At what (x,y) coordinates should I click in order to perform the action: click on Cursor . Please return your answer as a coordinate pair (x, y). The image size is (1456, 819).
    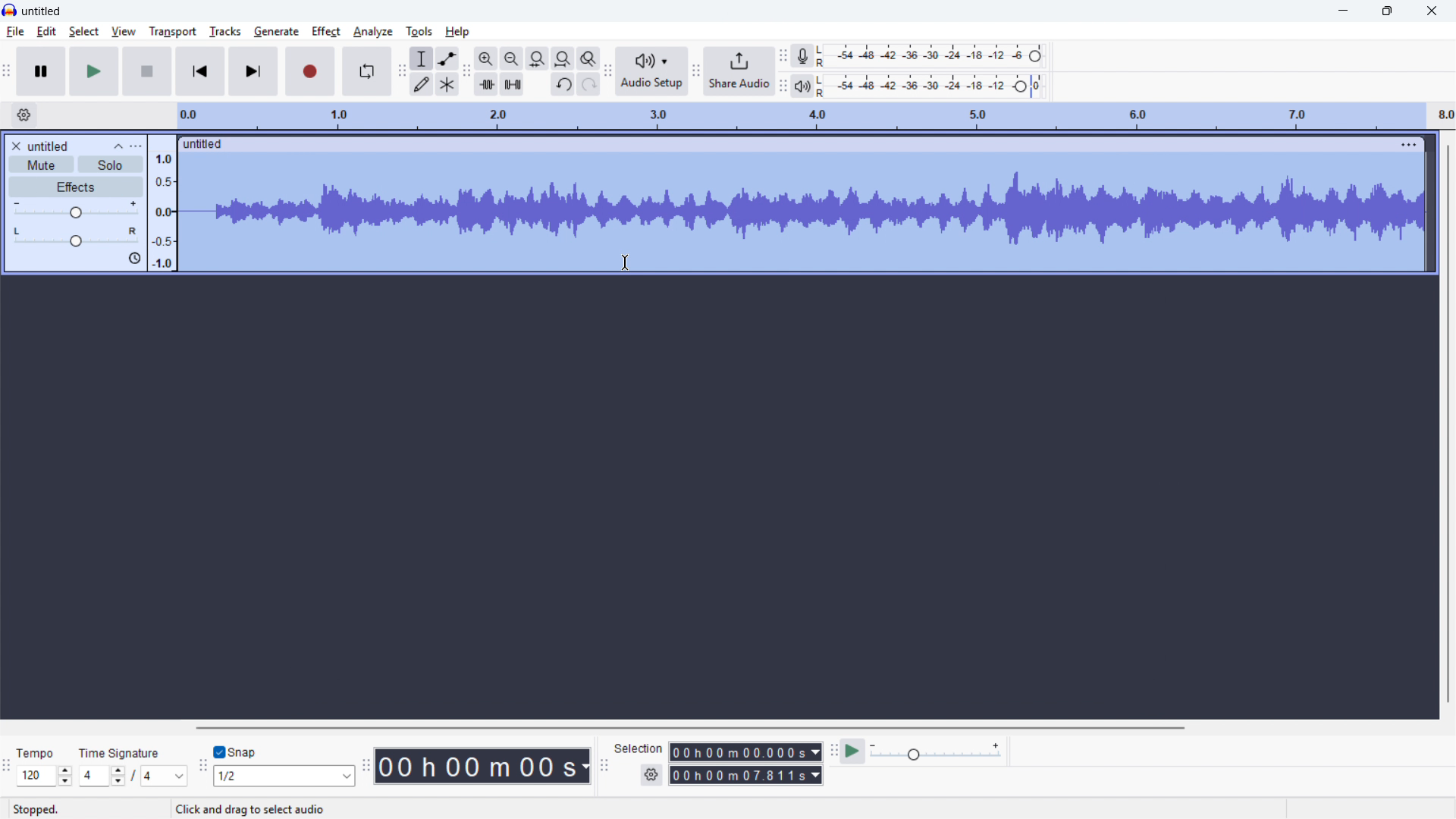
    Looking at the image, I should click on (628, 263).